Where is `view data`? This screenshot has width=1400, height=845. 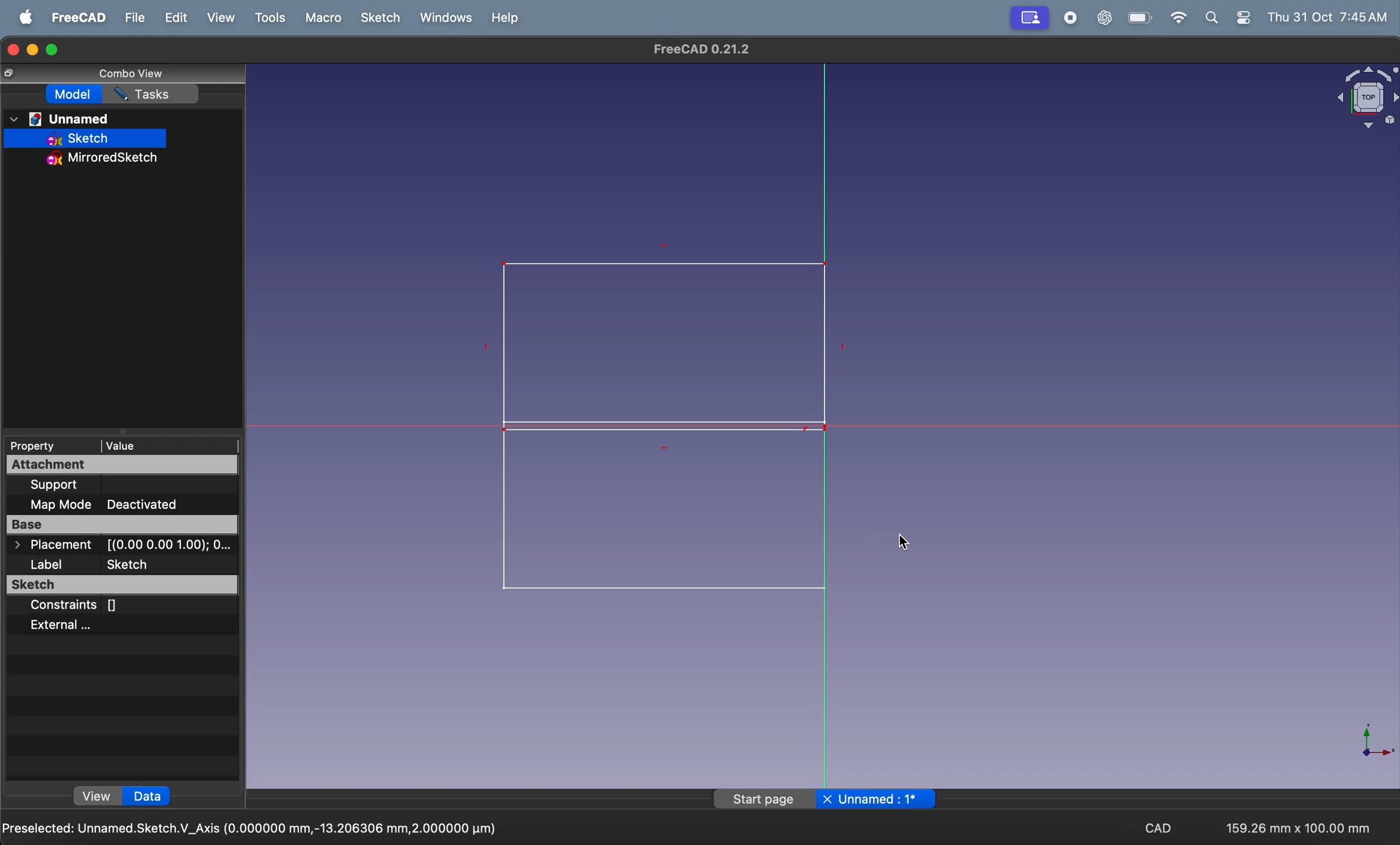 view data is located at coordinates (118, 796).